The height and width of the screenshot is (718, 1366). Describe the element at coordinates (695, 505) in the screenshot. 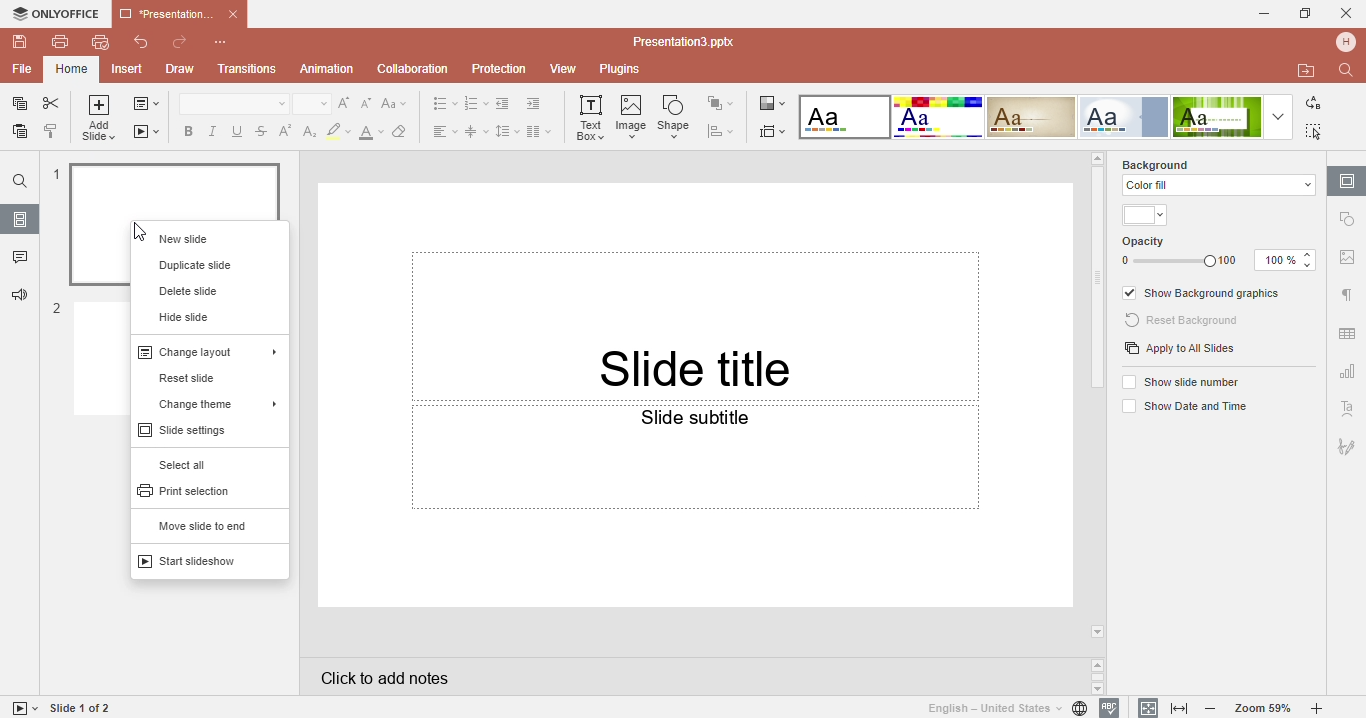

I see `Slide subtittle` at that location.